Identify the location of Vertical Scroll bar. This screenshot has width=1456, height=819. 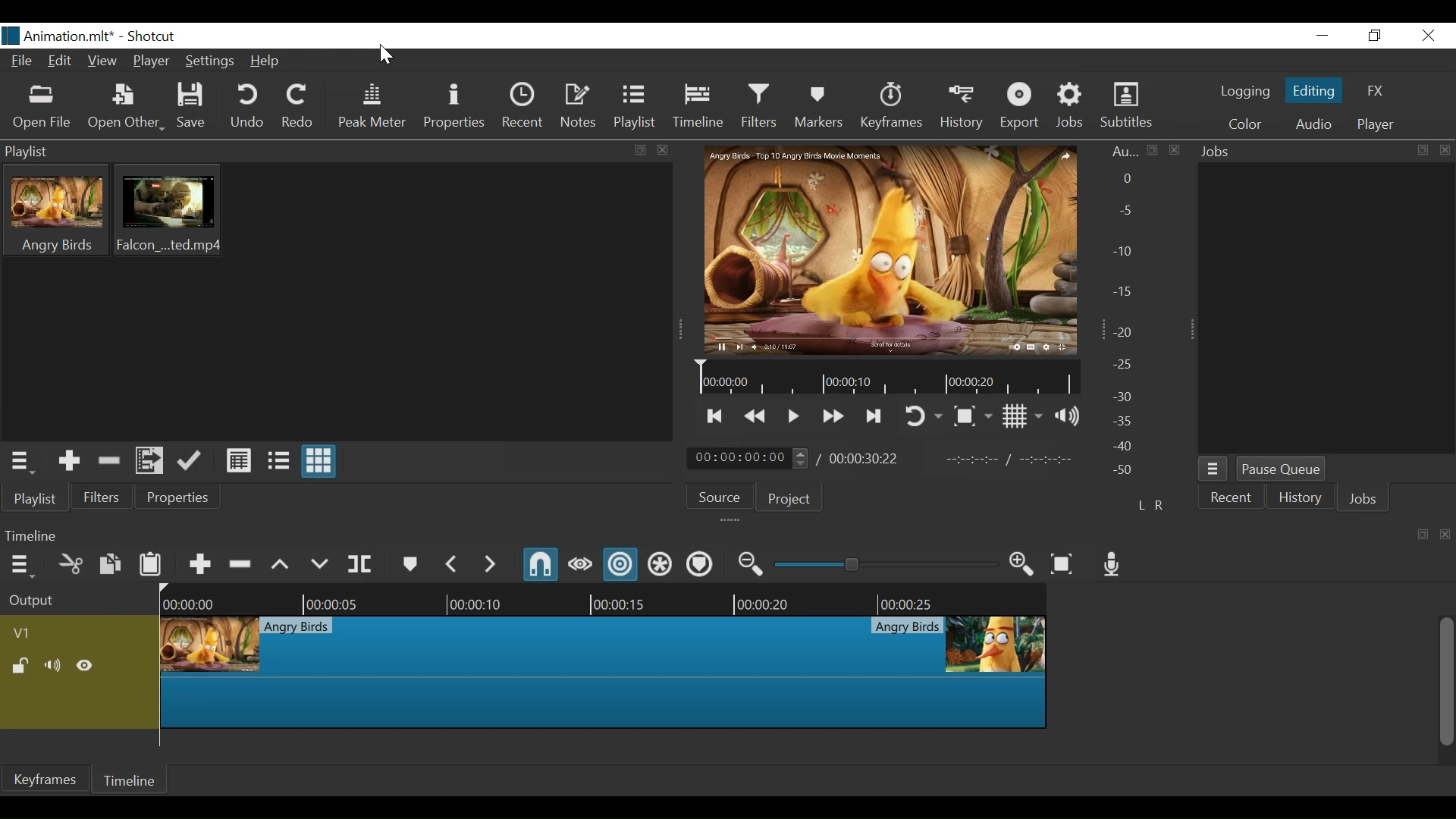
(1447, 682).